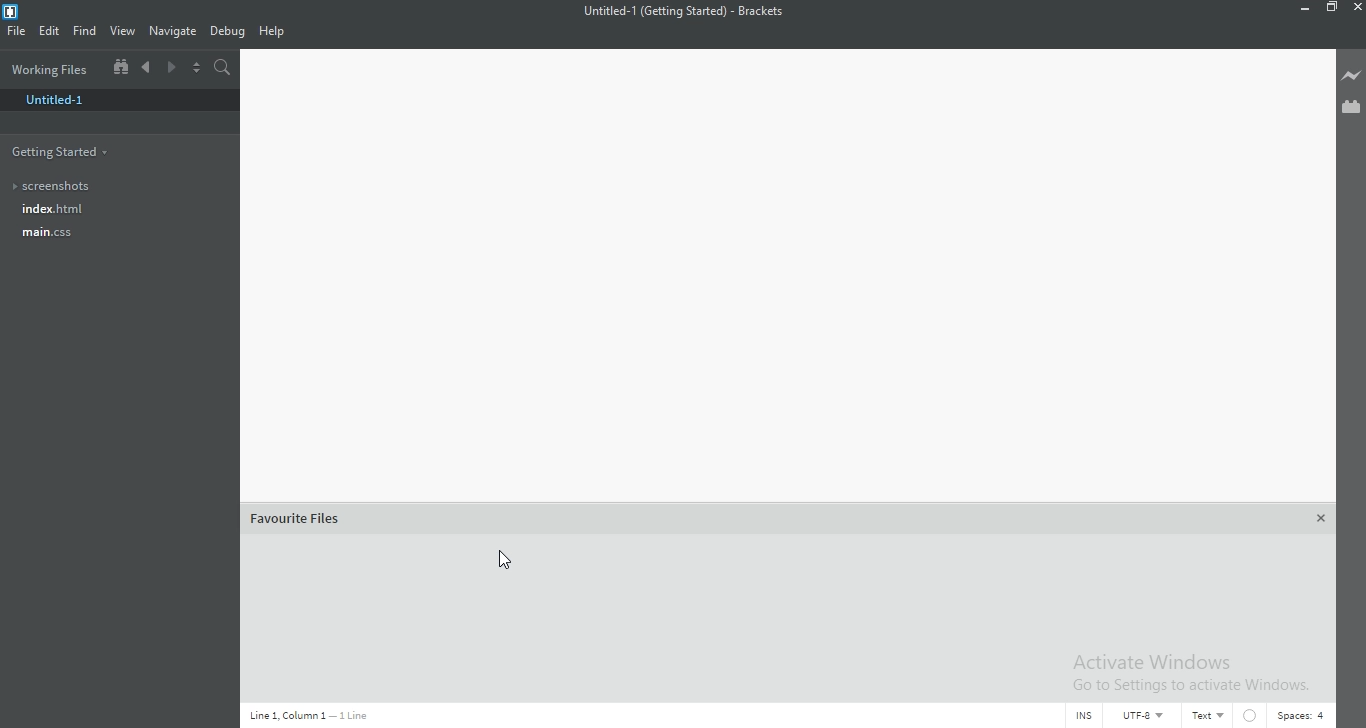 This screenshot has width=1366, height=728. I want to click on Find in files, so click(224, 71).